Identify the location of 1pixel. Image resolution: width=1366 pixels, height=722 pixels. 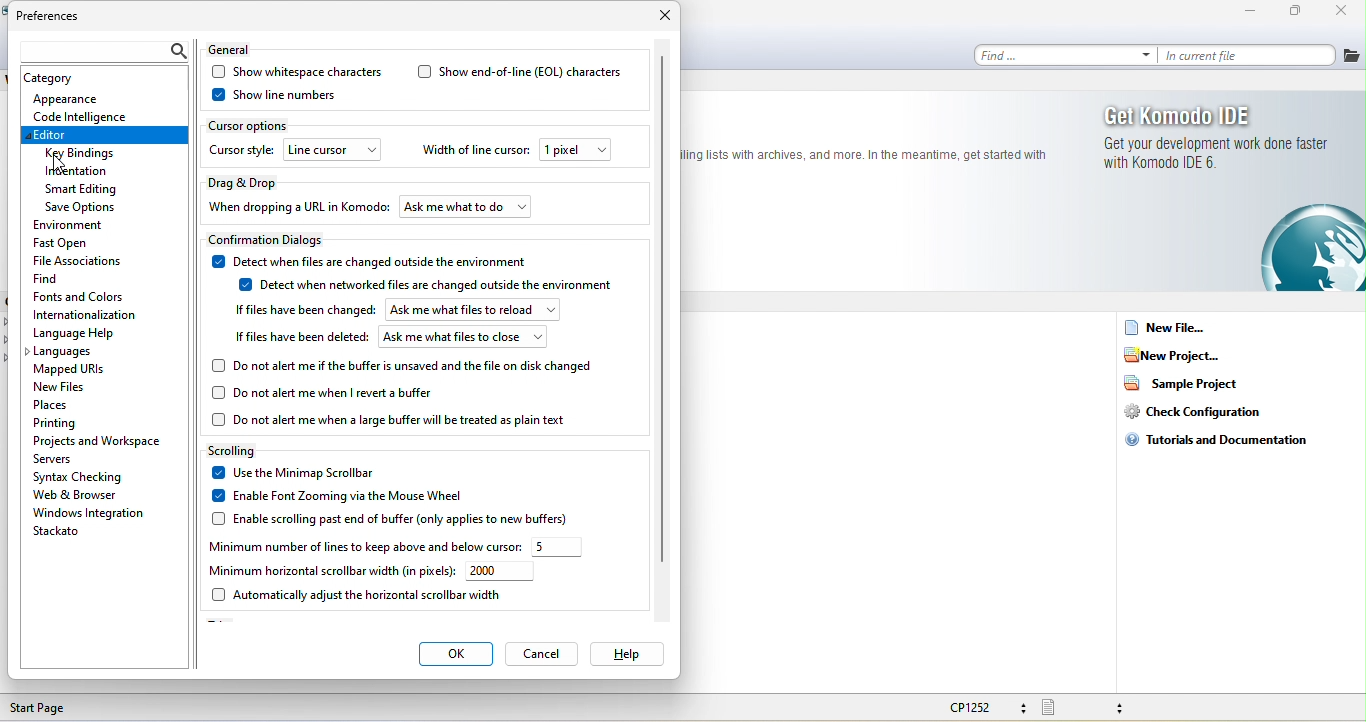
(575, 150).